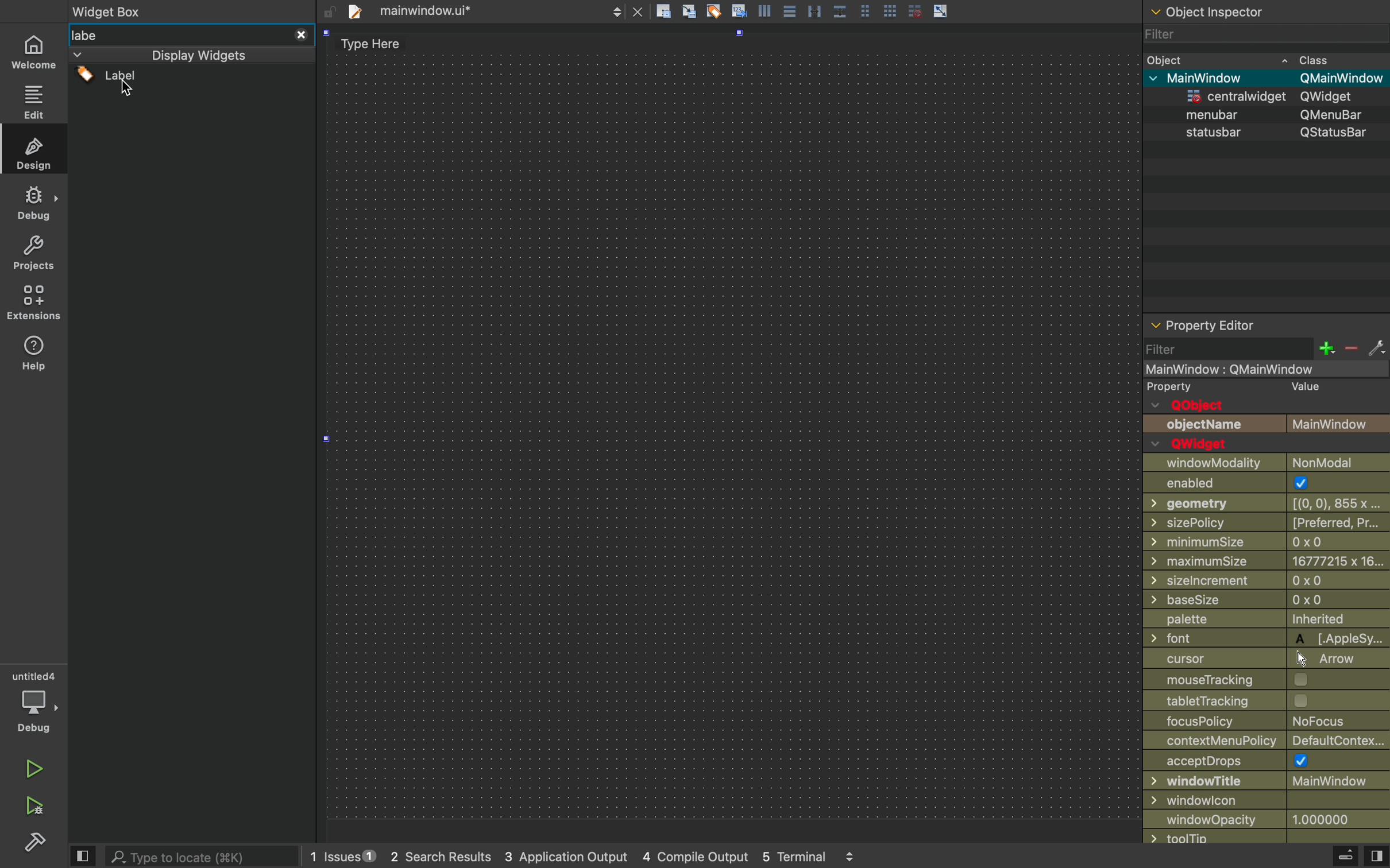 The height and width of the screenshot is (868, 1390). I want to click on icon, so click(690, 12).